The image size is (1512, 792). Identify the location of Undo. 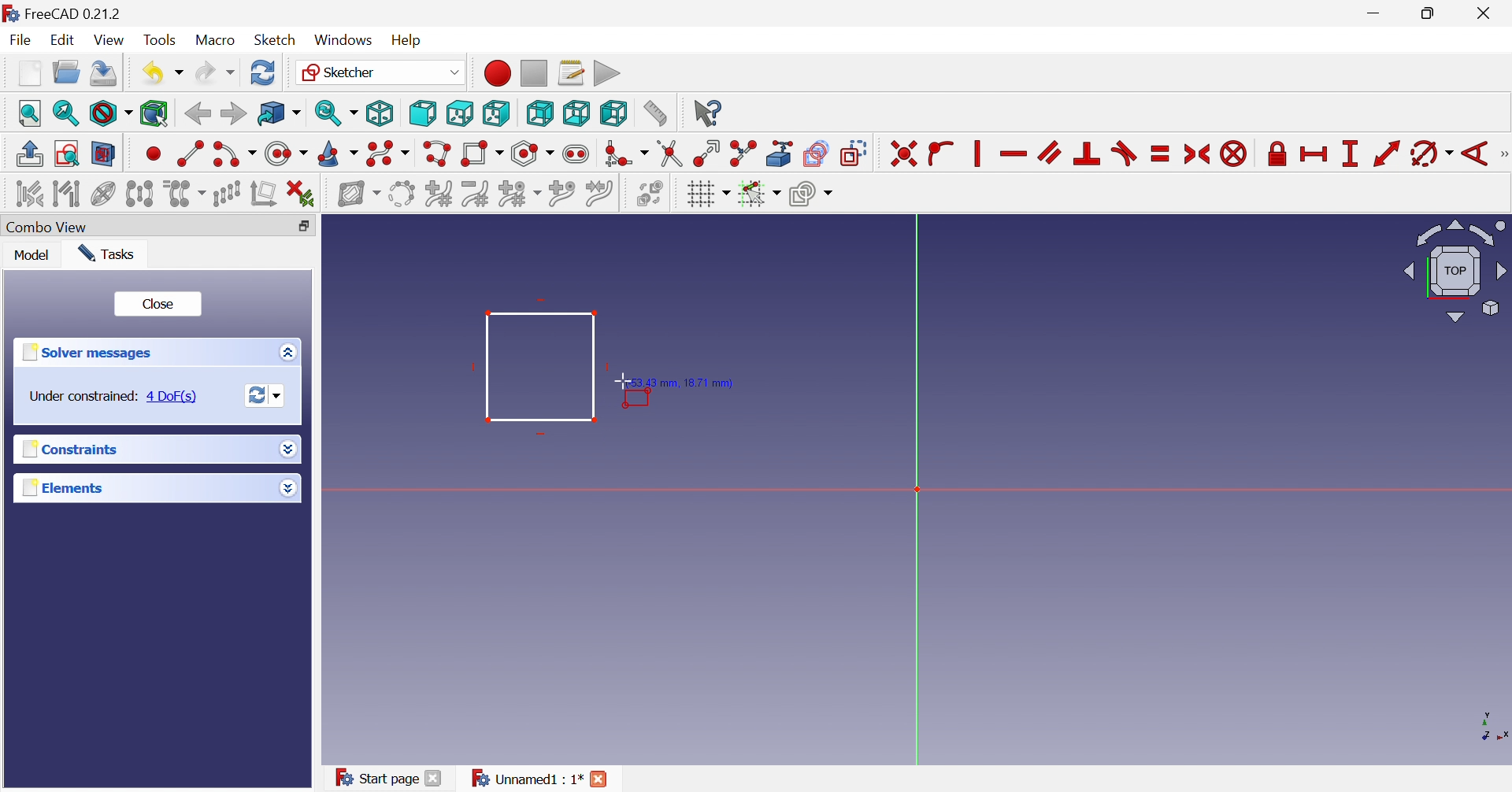
(161, 73).